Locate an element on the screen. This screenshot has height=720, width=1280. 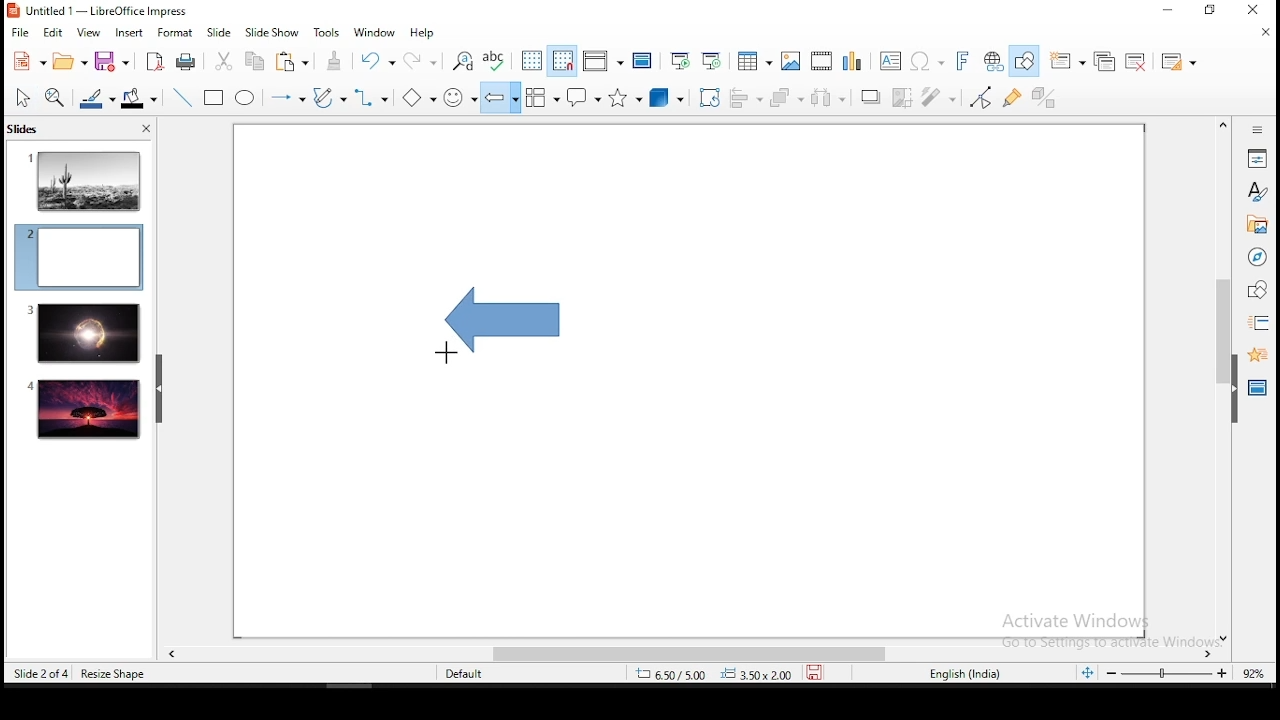
start from current slide is located at coordinates (713, 60).